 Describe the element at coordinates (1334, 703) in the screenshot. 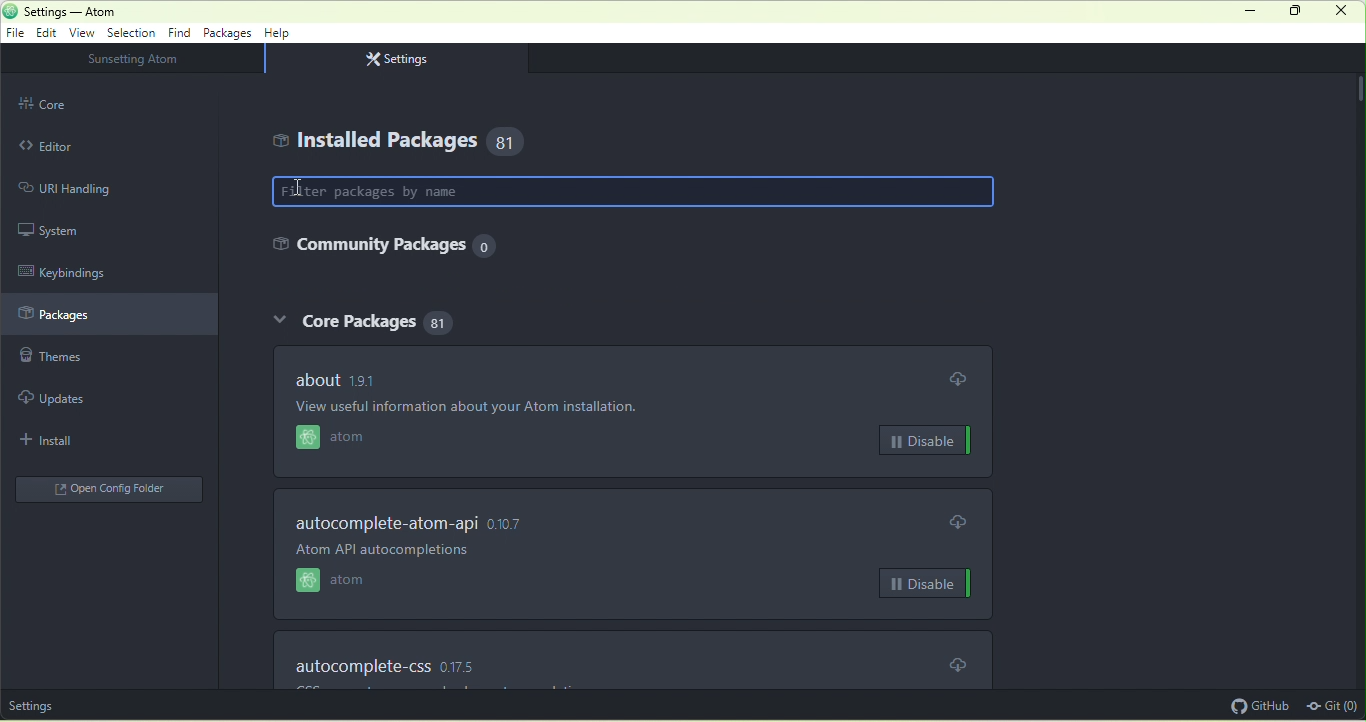

I see `git(0)` at that location.